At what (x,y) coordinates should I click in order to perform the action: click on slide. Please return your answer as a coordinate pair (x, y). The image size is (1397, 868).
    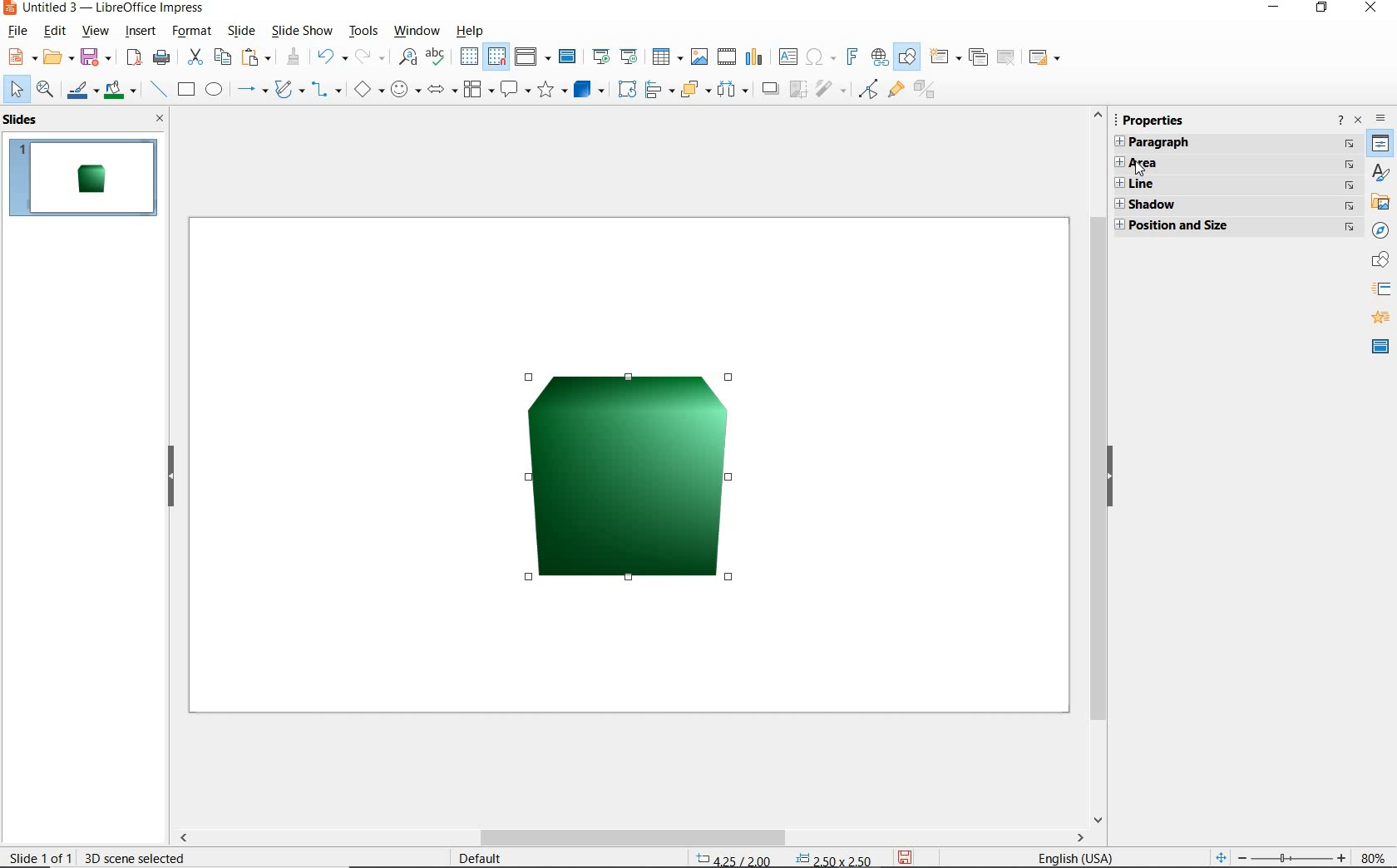
    Looking at the image, I should click on (239, 31).